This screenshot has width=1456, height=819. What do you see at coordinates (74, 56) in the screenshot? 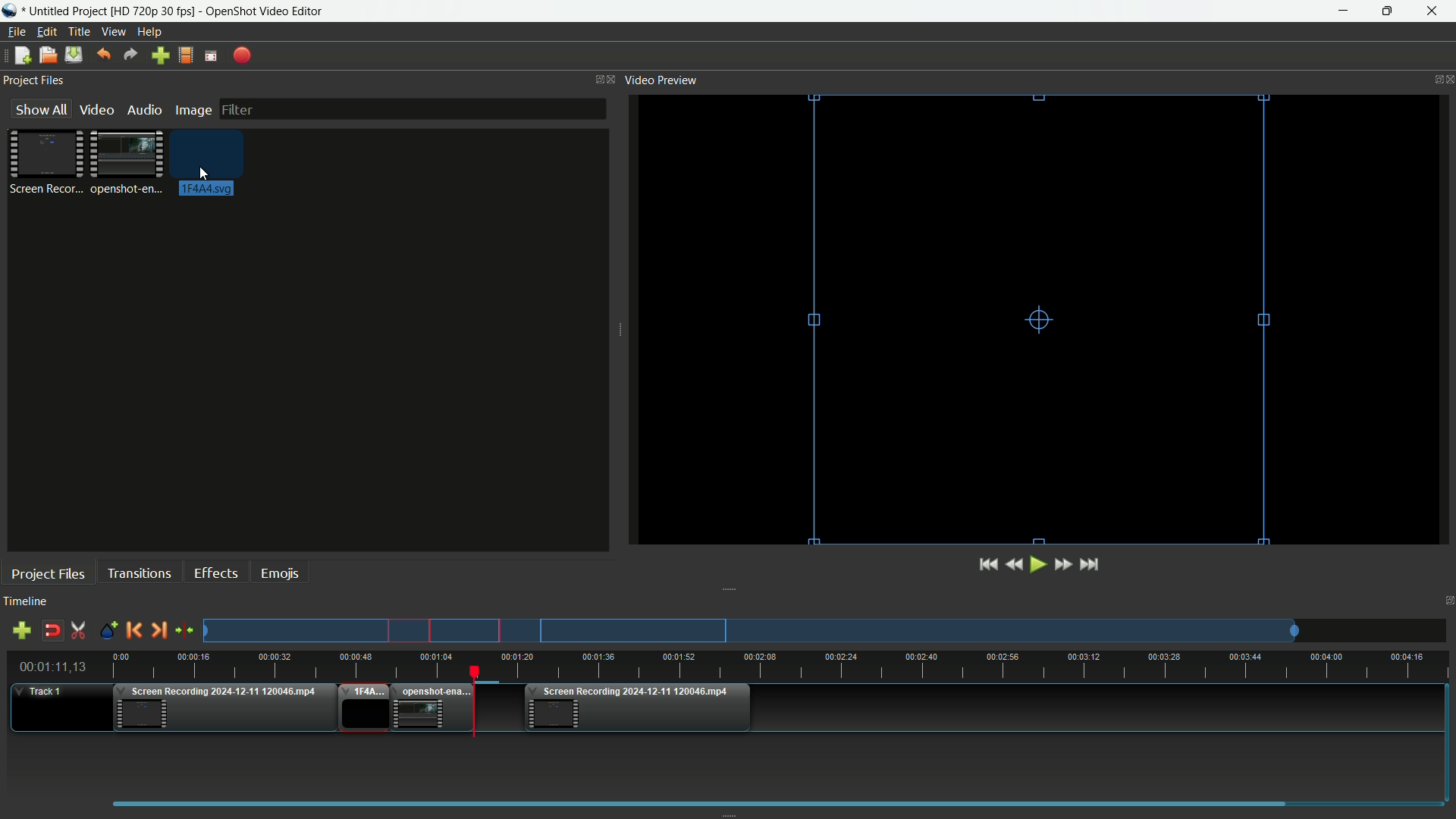
I see `Save file` at bounding box center [74, 56].